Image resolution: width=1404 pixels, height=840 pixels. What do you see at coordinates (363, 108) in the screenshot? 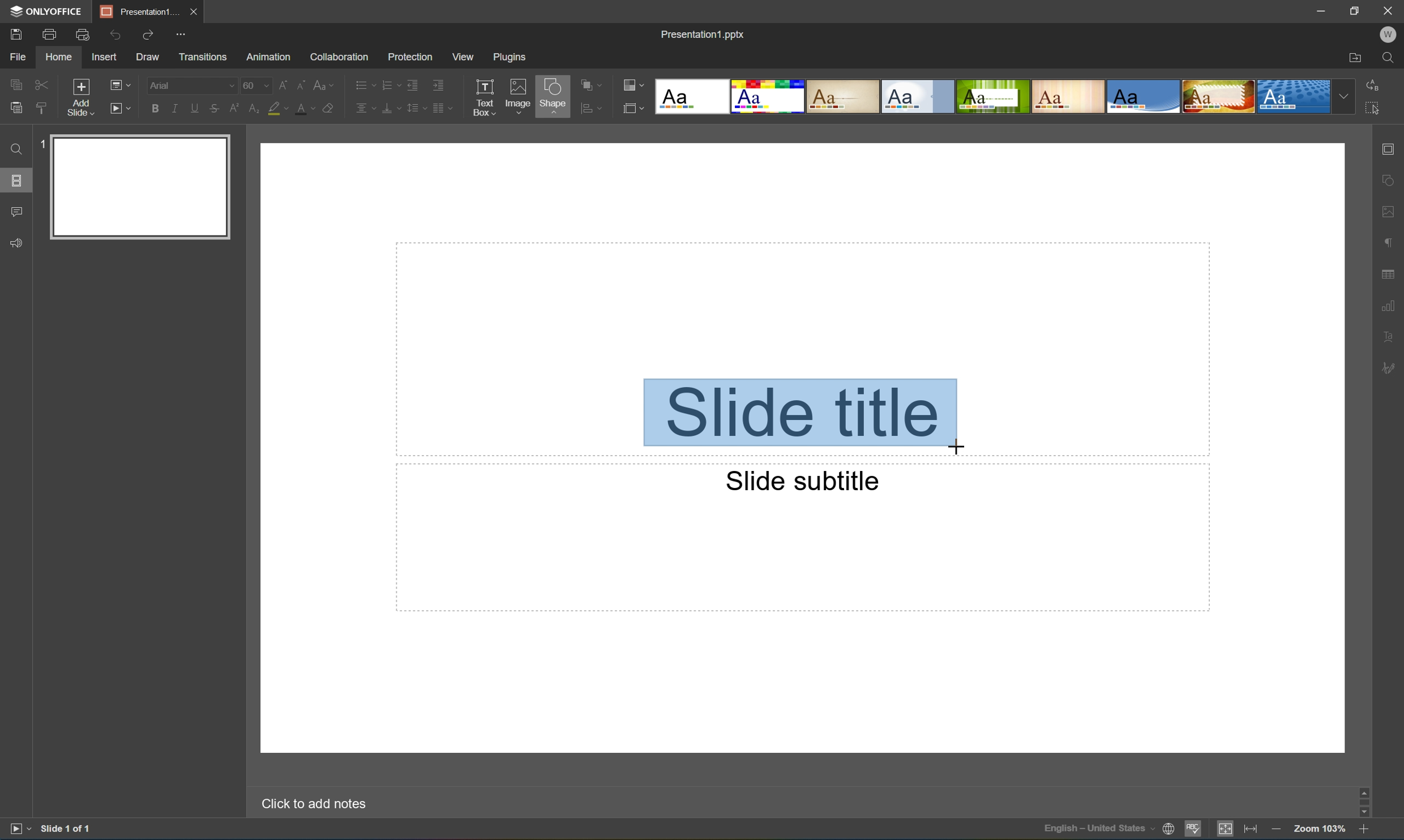
I see `Horizontally align` at bounding box center [363, 108].